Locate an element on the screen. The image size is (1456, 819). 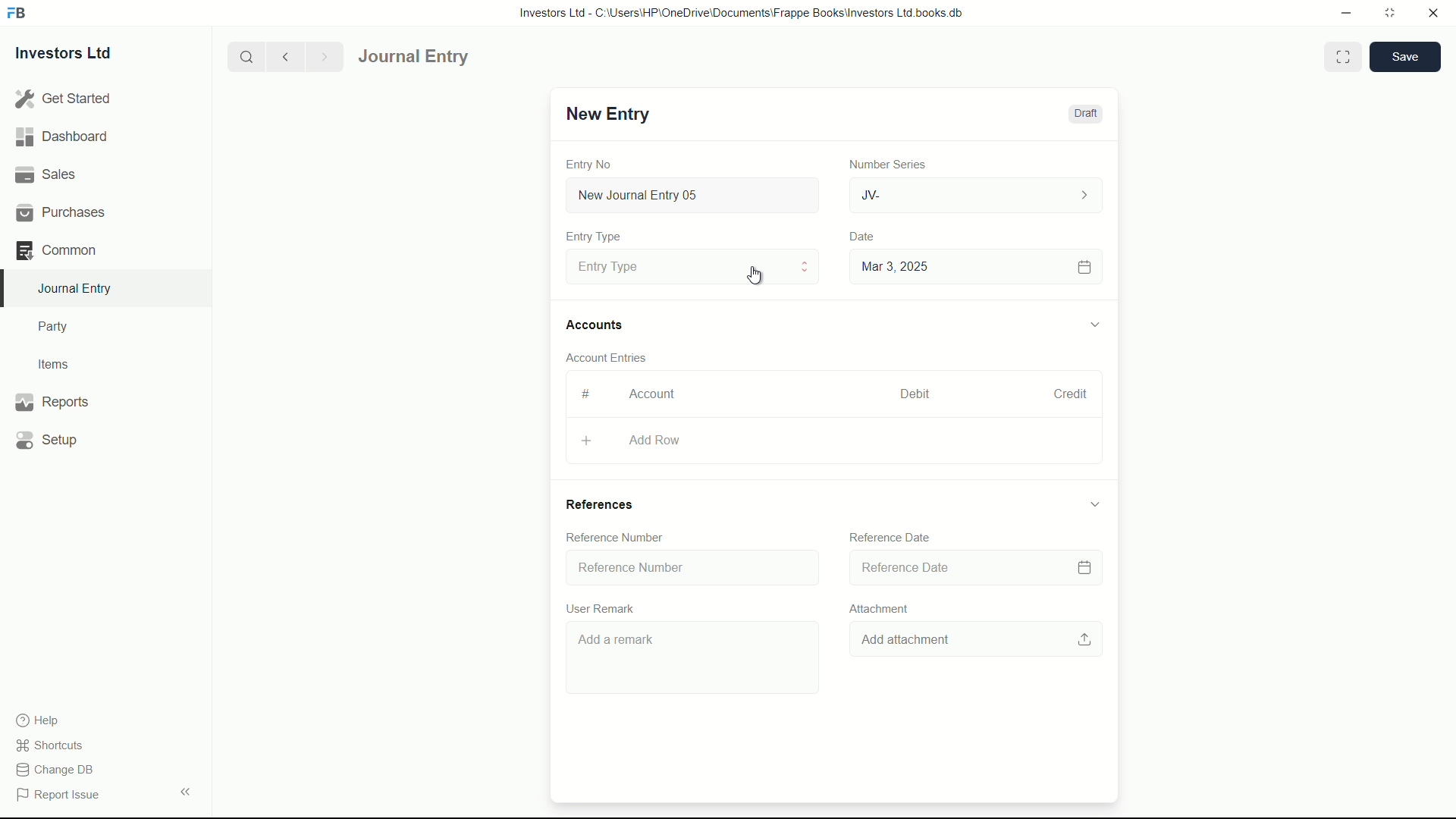
New Journal Entry 05 is located at coordinates (695, 196).